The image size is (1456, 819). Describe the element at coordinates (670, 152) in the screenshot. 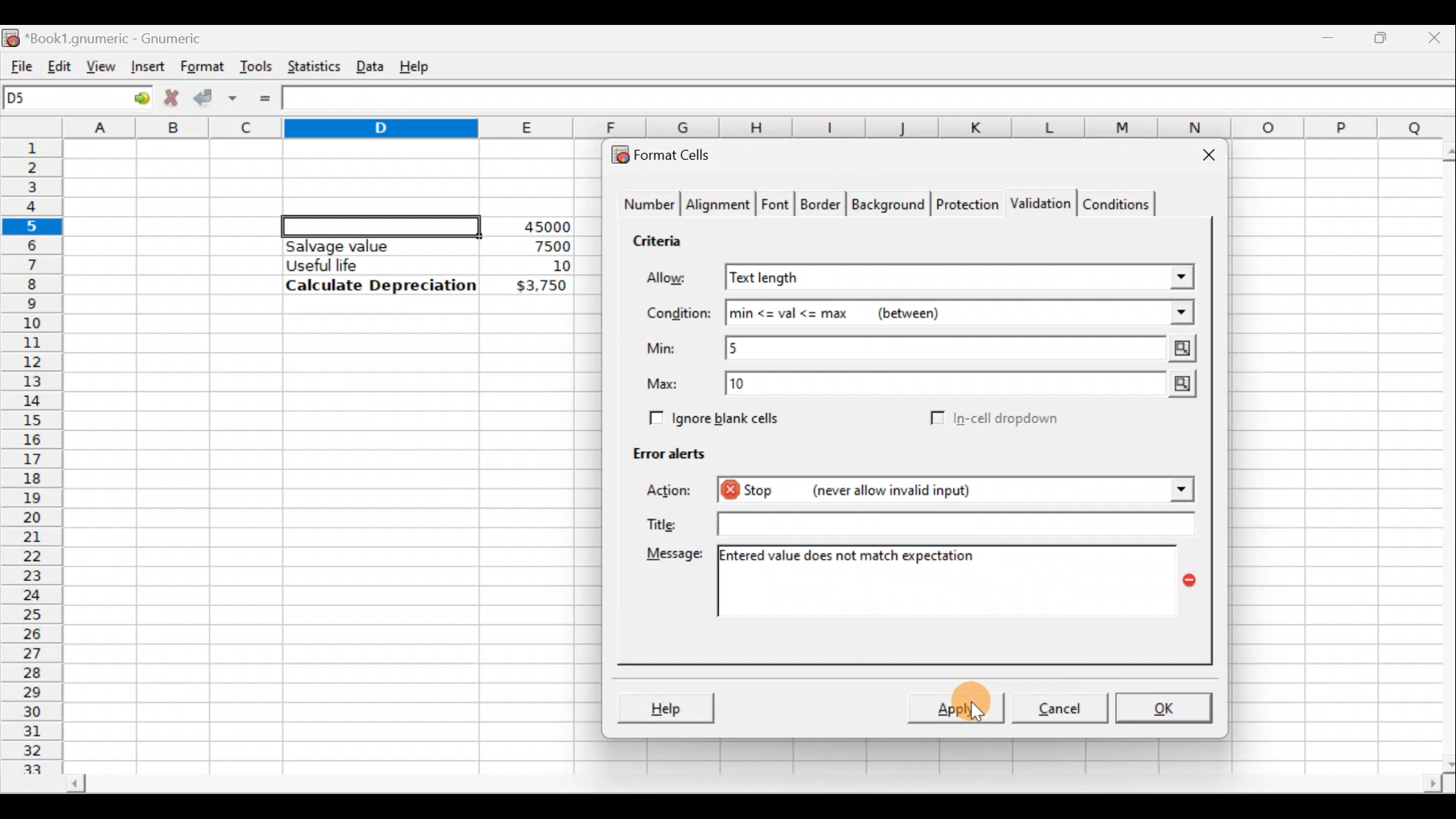

I see `Format cells` at that location.